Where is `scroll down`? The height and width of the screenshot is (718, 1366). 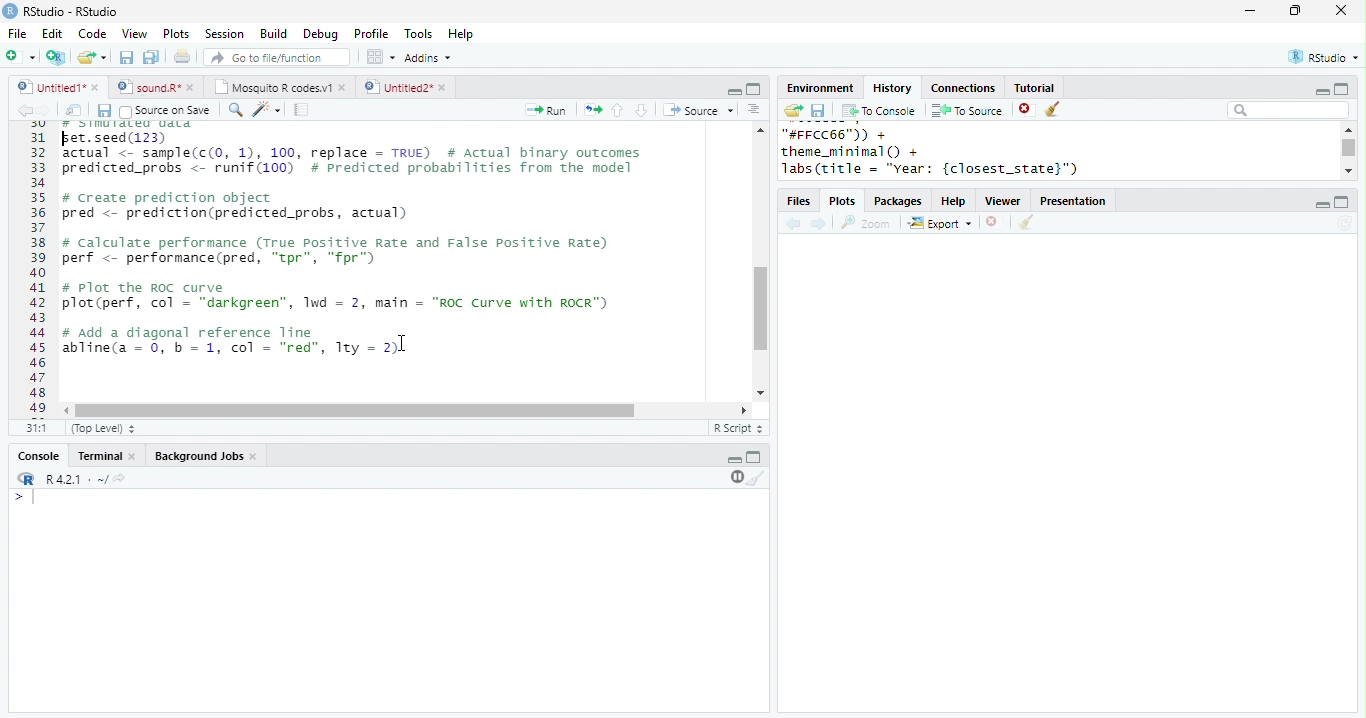
scroll down is located at coordinates (759, 393).